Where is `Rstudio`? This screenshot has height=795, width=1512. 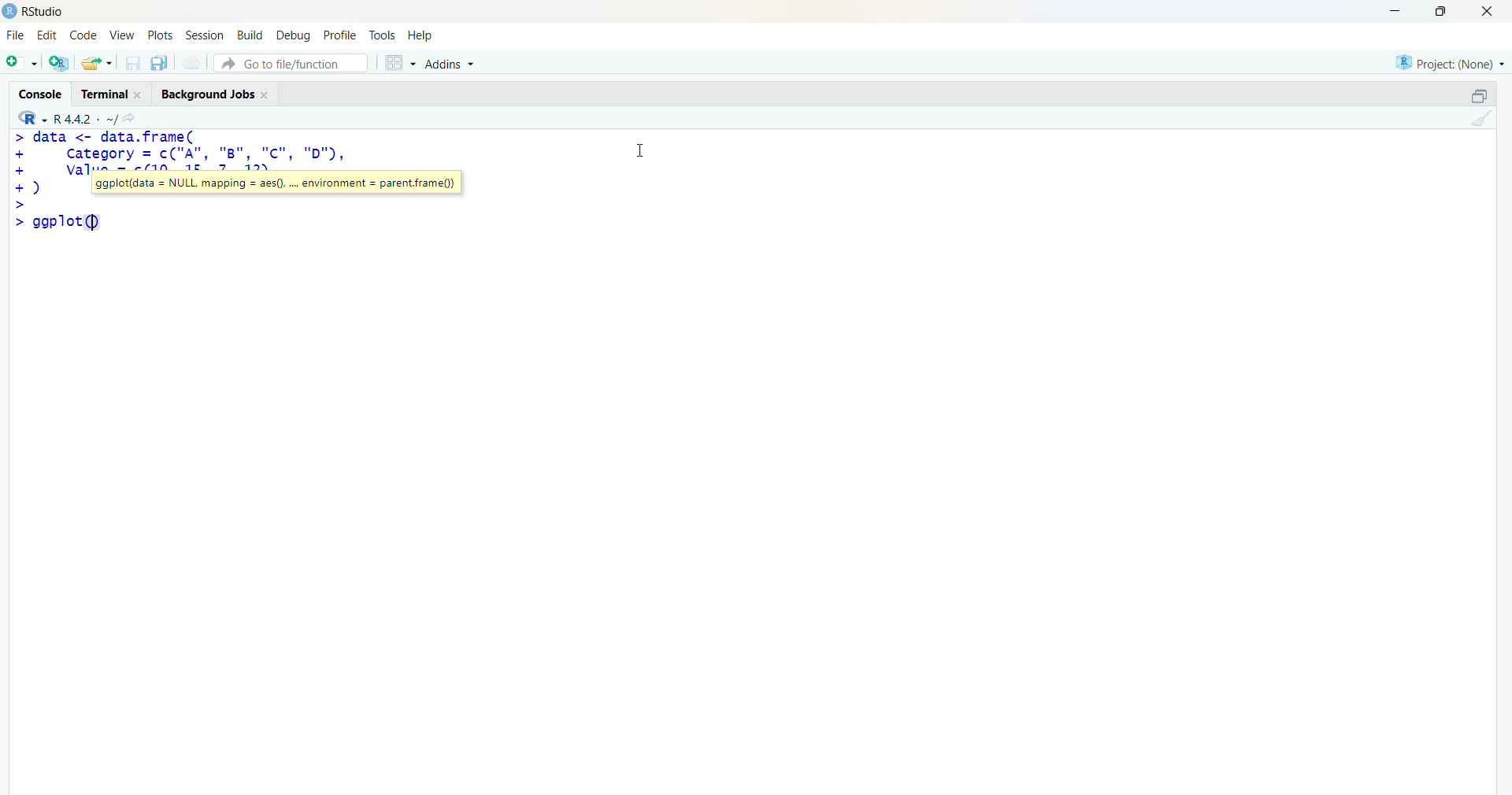 Rstudio is located at coordinates (48, 12).